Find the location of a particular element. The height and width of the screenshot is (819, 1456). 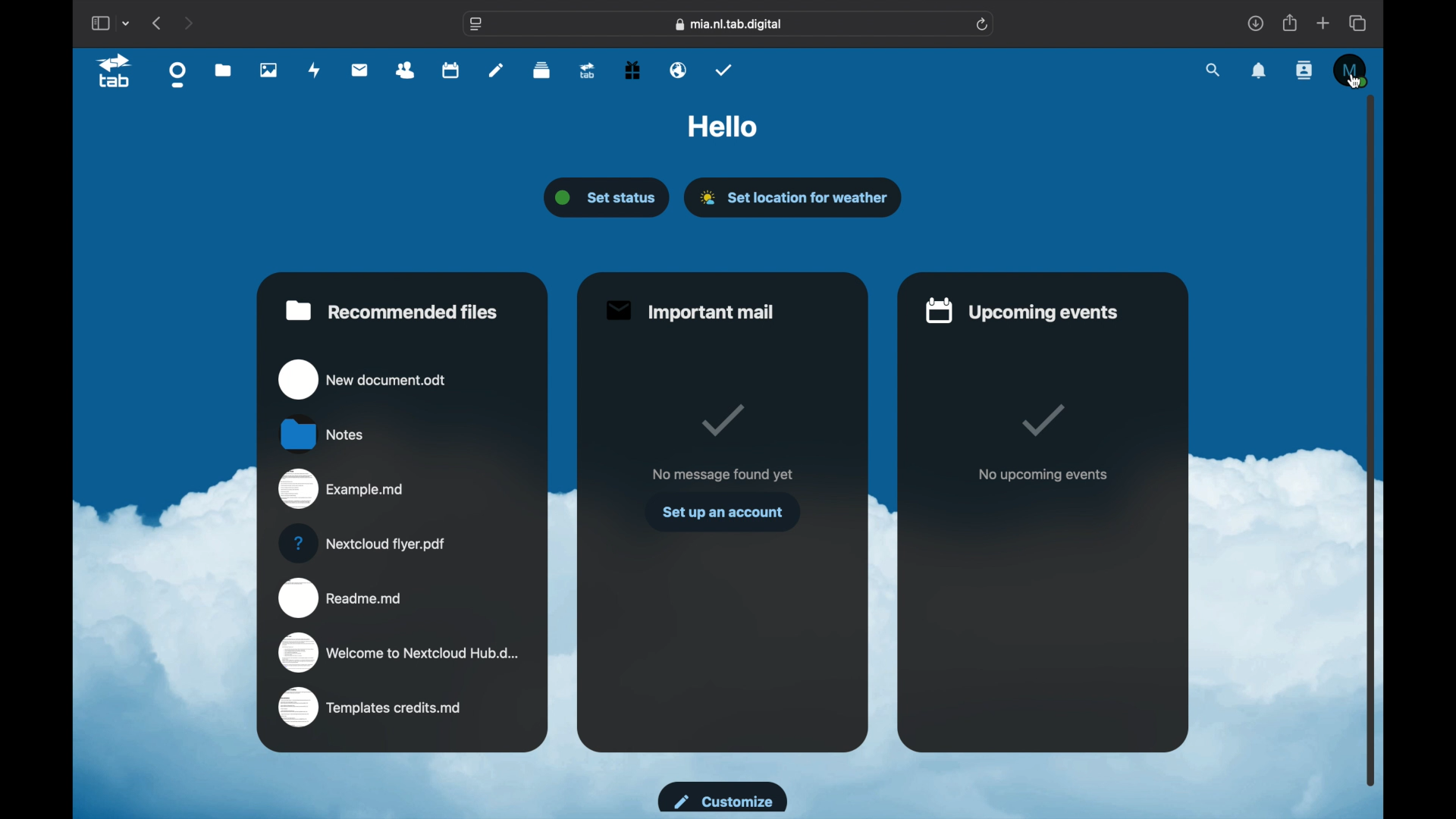

show tab overview is located at coordinates (1359, 23).